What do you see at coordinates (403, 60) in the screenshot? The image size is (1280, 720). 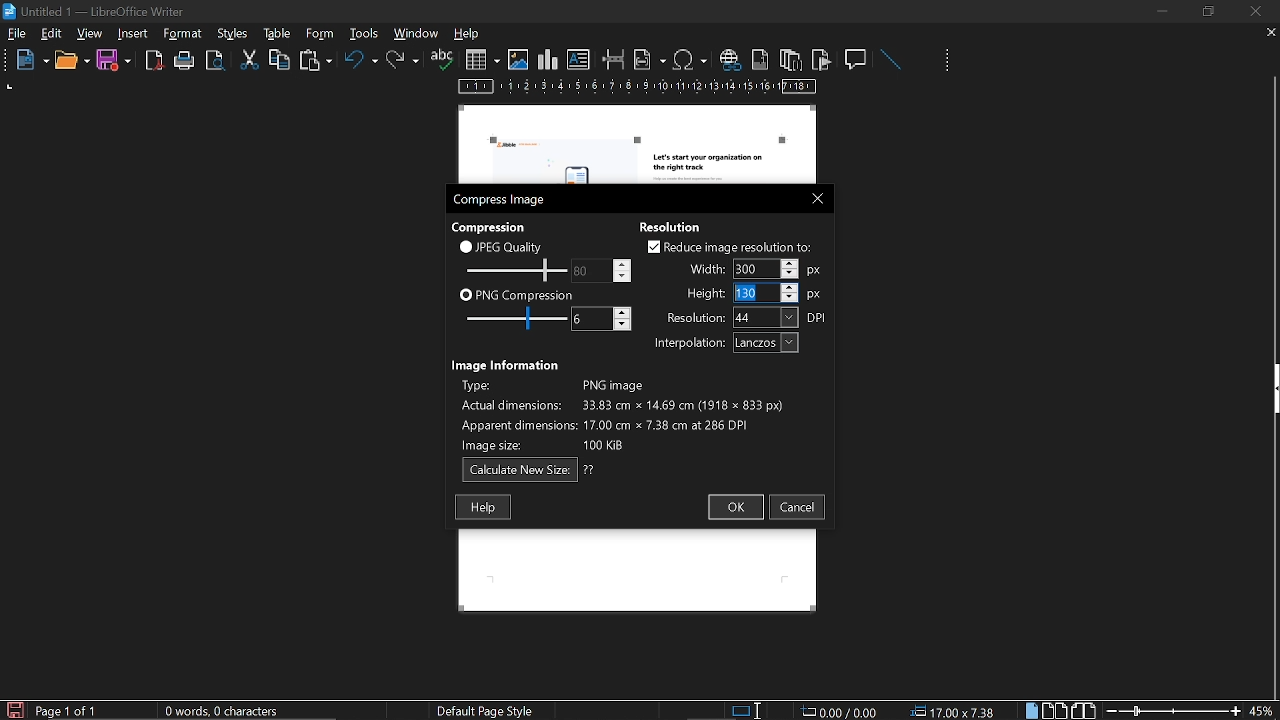 I see `redo` at bounding box center [403, 60].